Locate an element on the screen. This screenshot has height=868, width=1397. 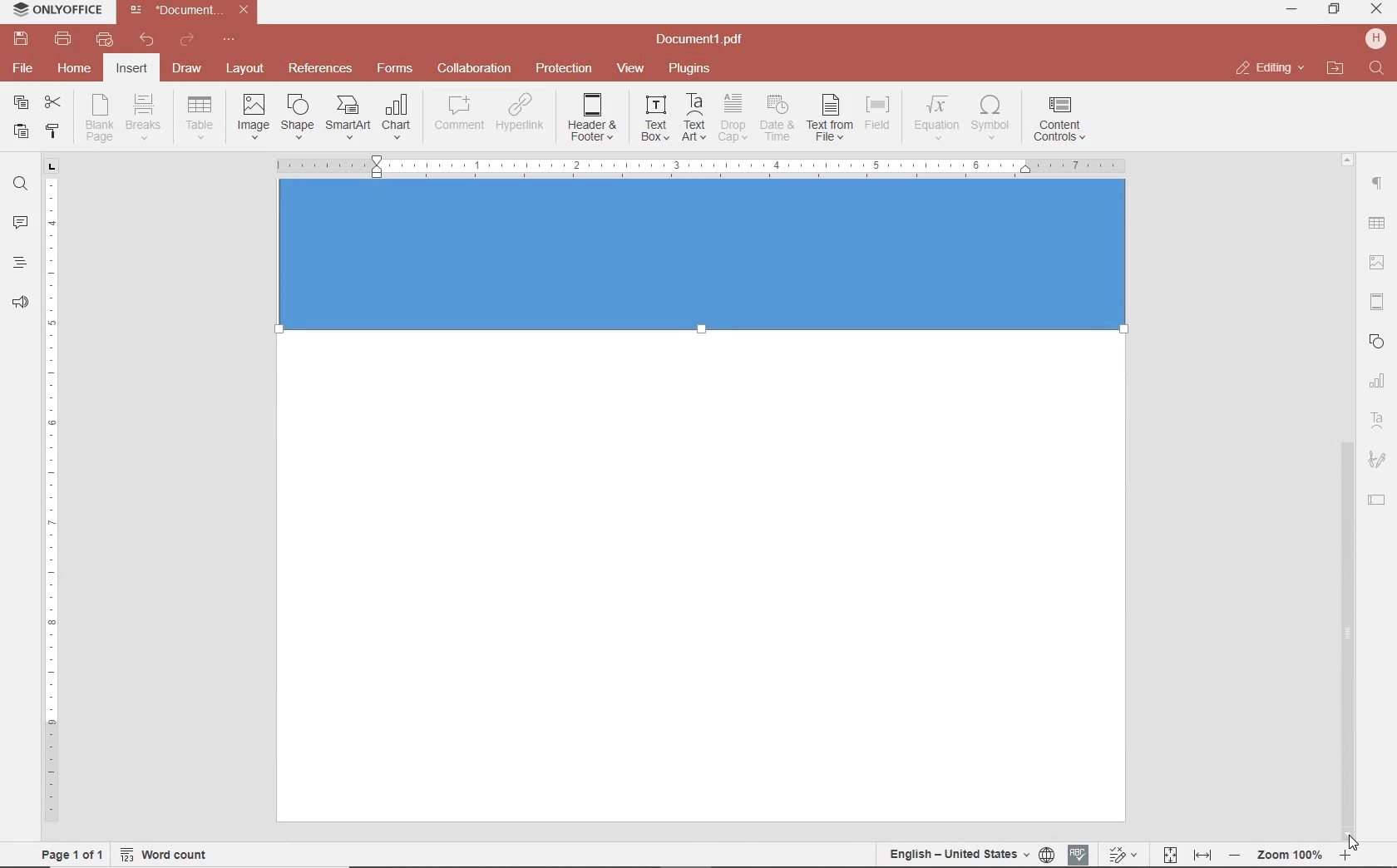
INSERT SMART ART is located at coordinates (348, 116).